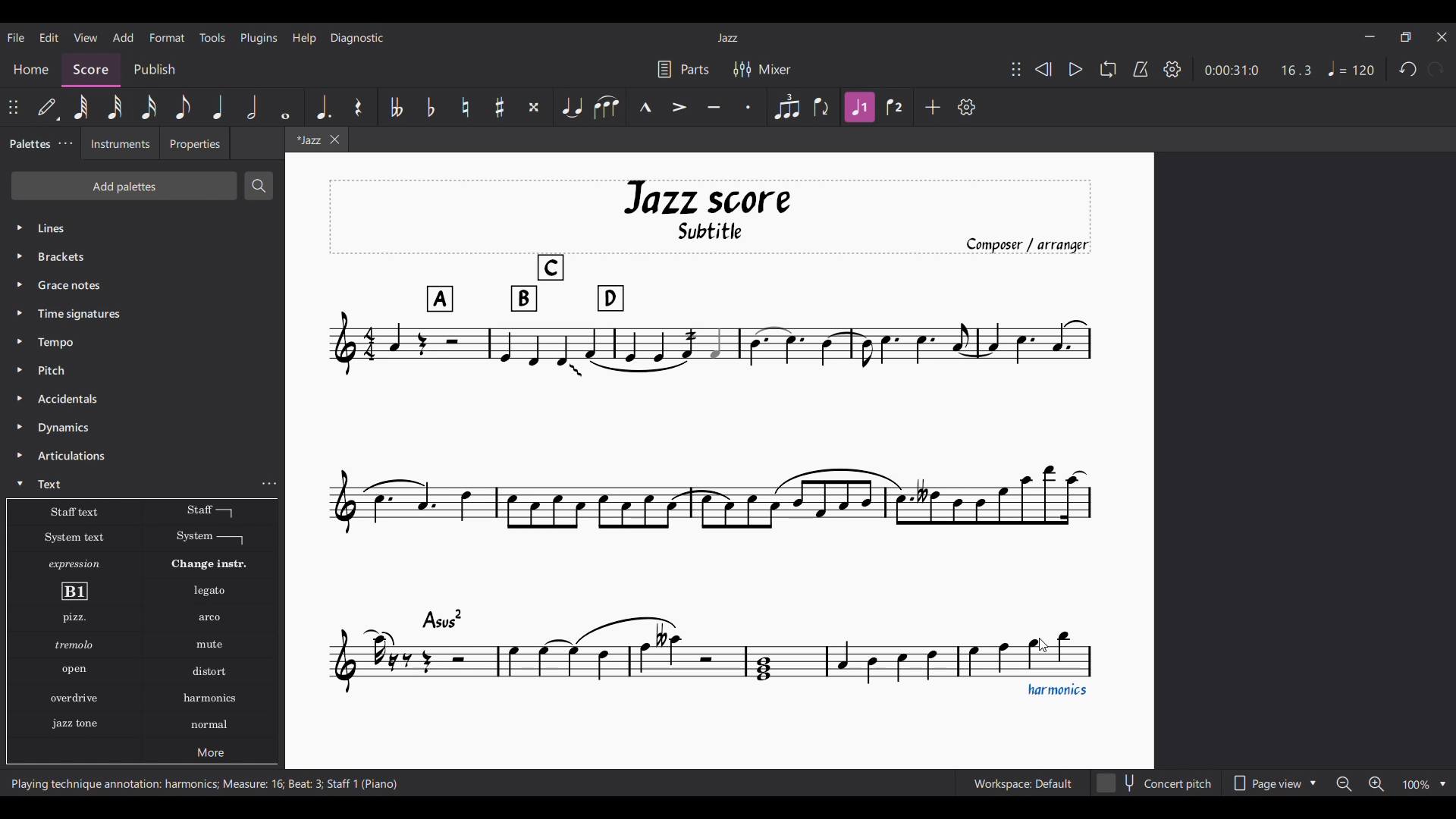 Image resolution: width=1456 pixels, height=819 pixels. I want to click on Time, so click(99, 314).